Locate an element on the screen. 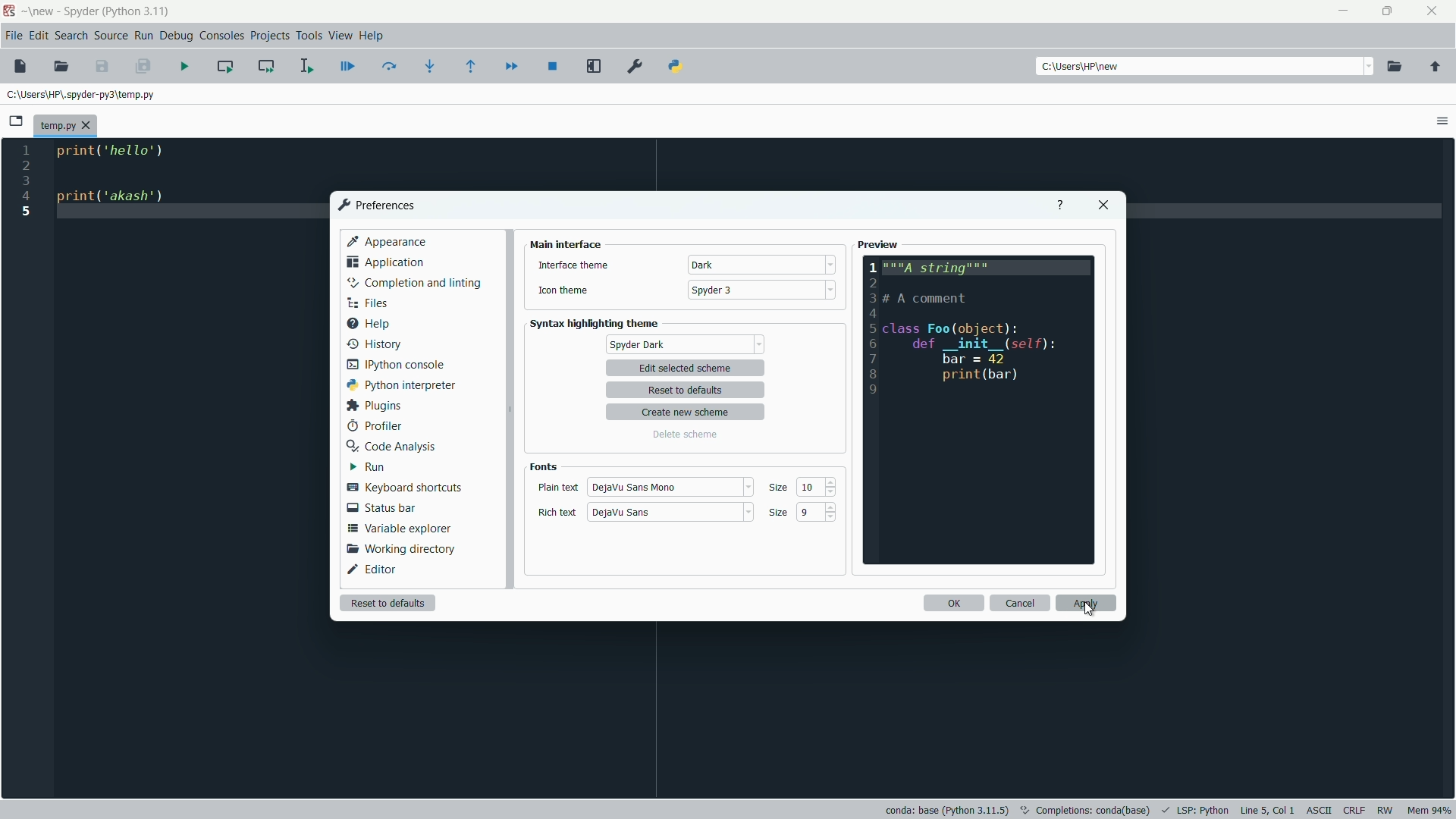  edit menu is located at coordinates (39, 35).